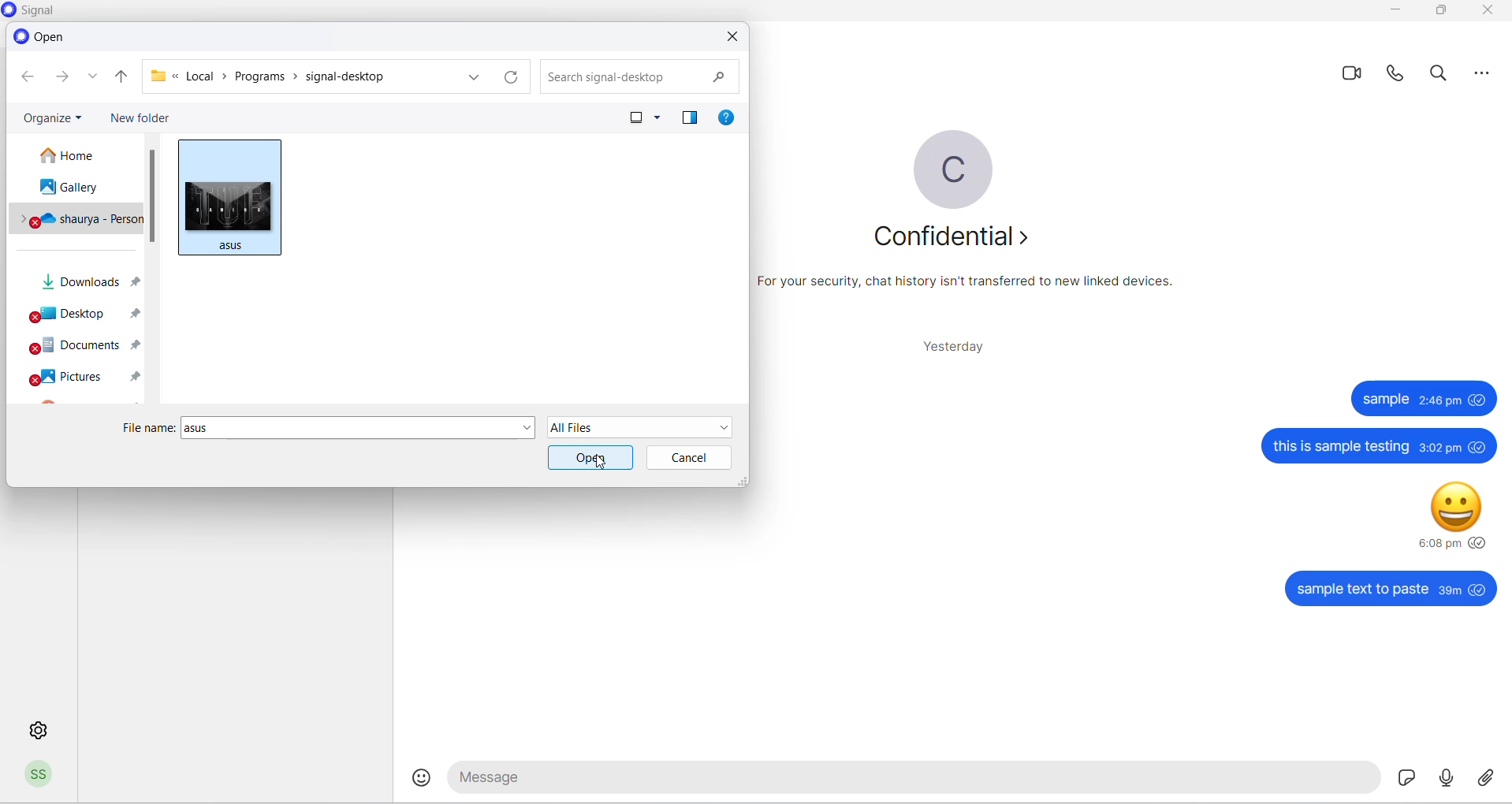 This screenshot has width=1512, height=804. What do you see at coordinates (95, 80) in the screenshot?
I see `recent locations` at bounding box center [95, 80].